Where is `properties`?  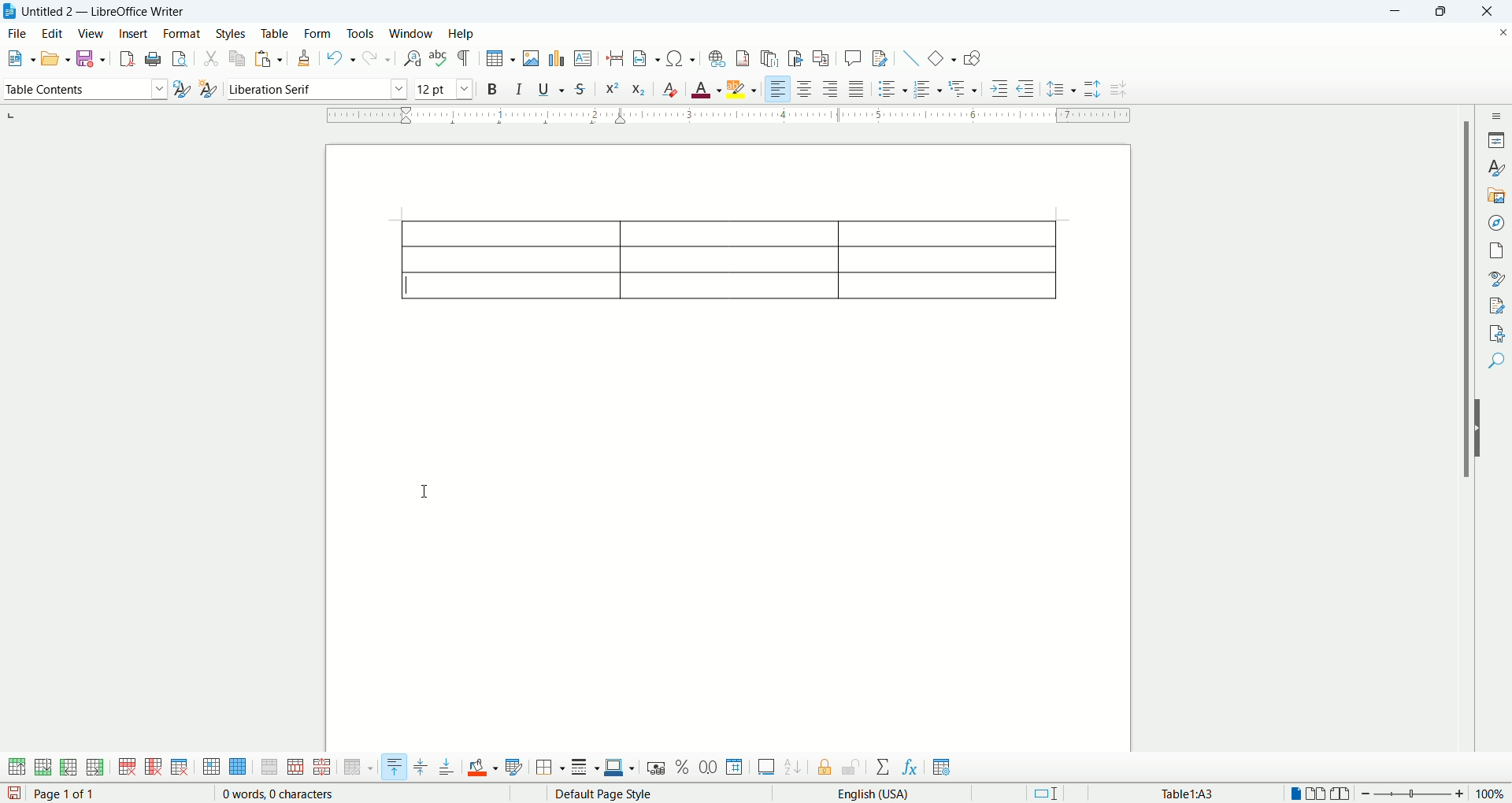 properties is located at coordinates (1498, 141).